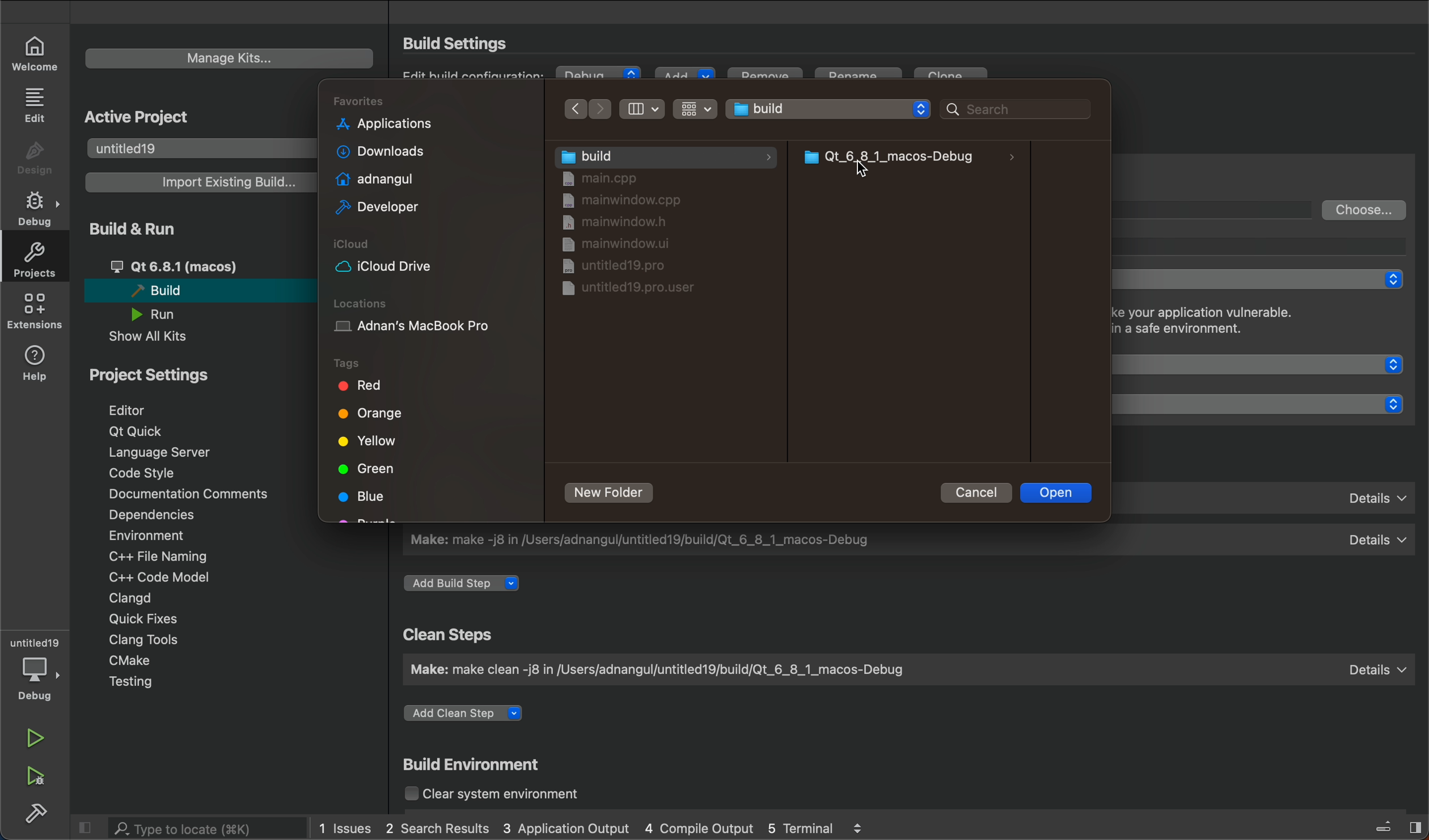  Describe the element at coordinates (861, 78) in the screenshot. I see `rename` at that location.